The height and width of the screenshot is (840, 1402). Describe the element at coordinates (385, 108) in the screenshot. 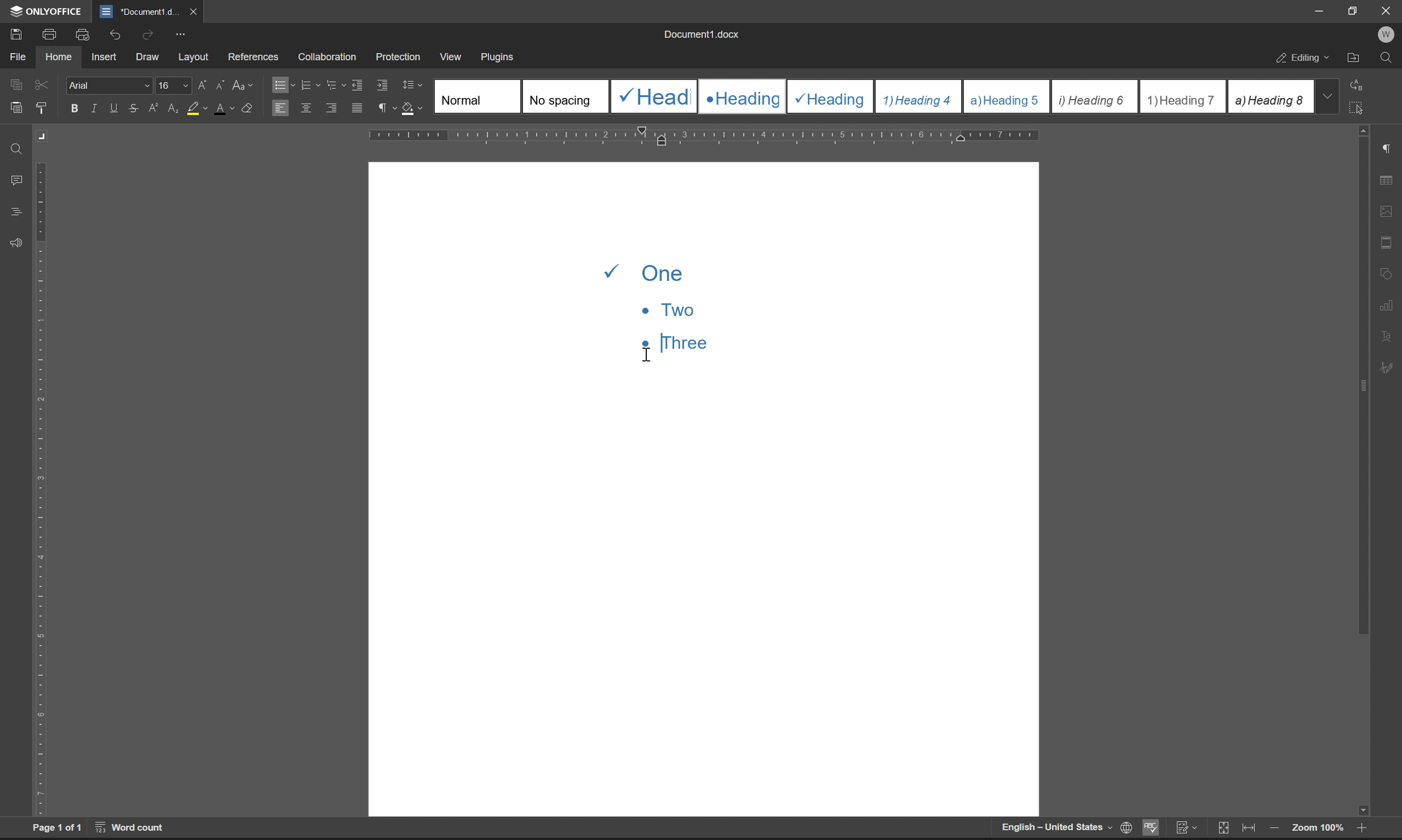

I see `paragraph` at that location.